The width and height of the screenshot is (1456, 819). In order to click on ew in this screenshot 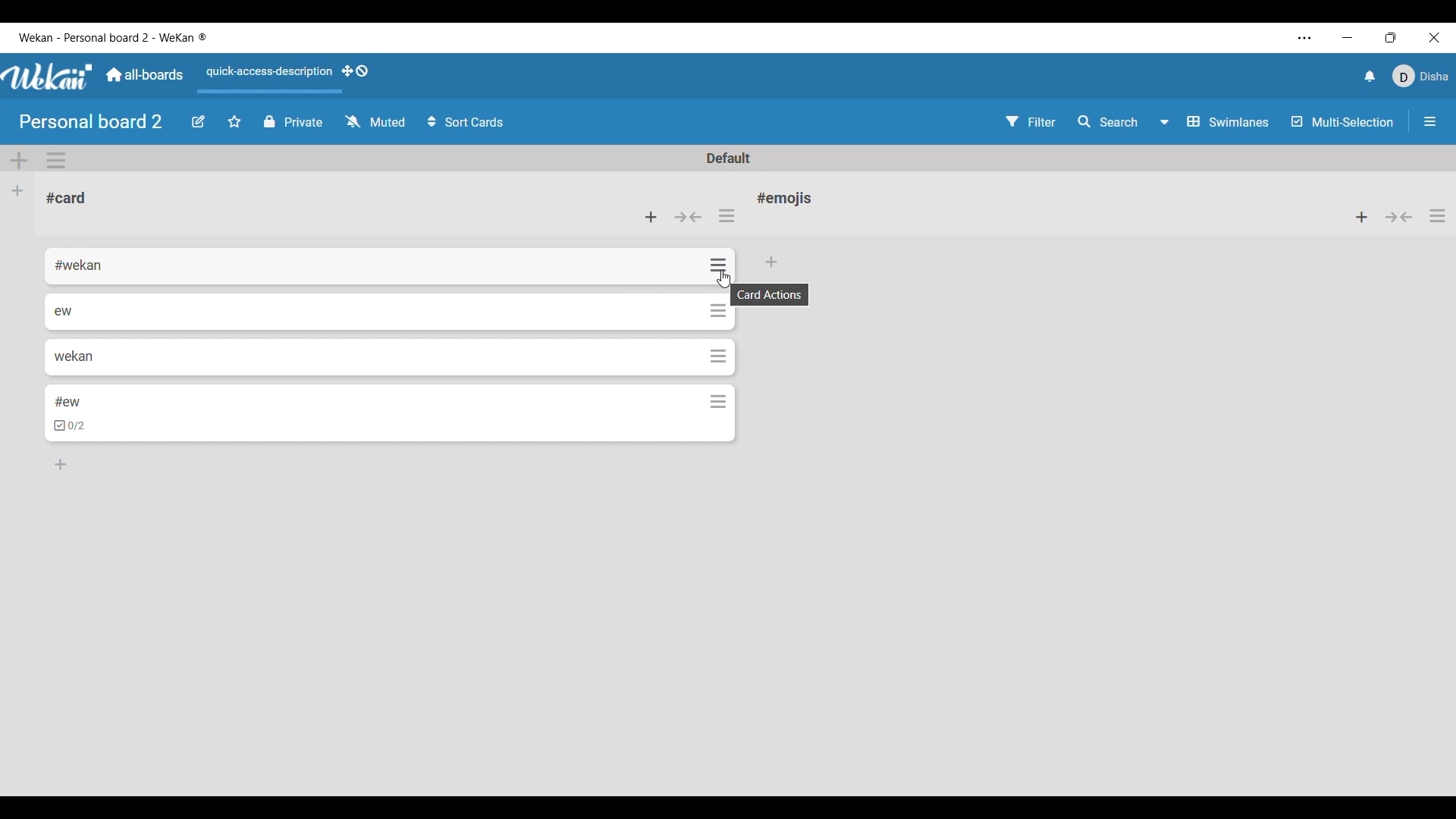, I will do `click(64, 311)`.